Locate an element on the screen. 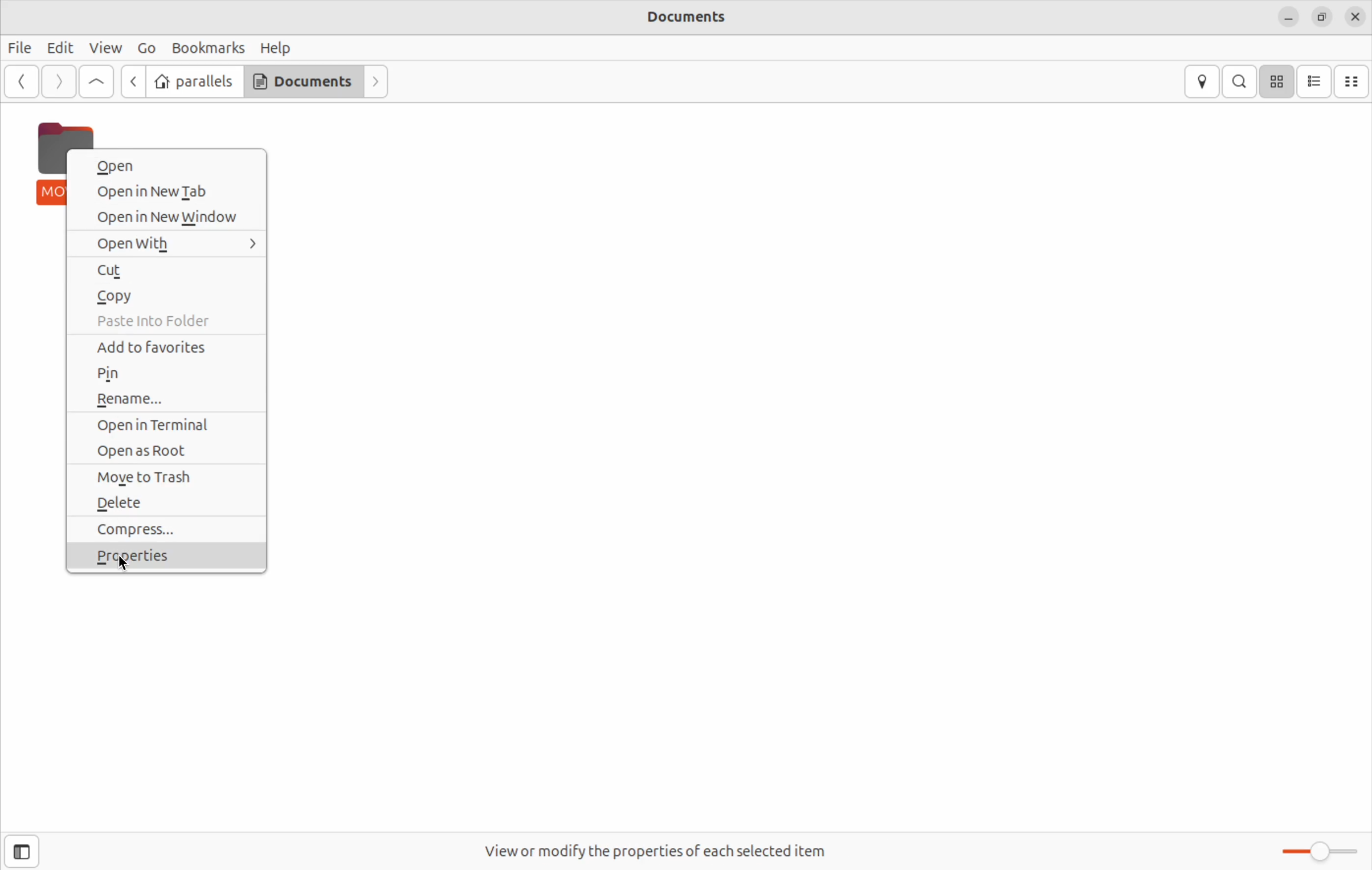  Forward is located at coordinates (59, 81).